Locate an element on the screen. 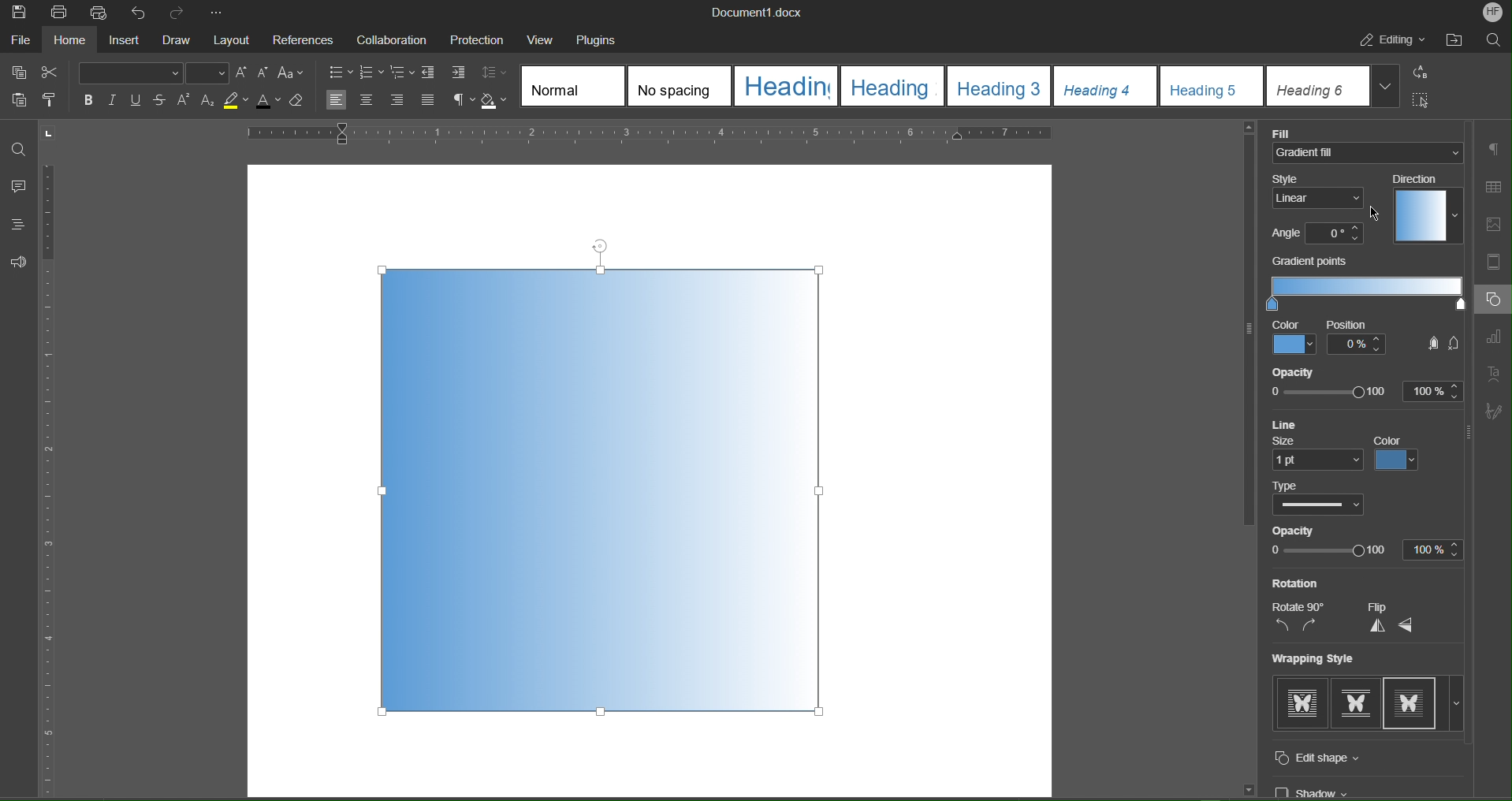 Image resolution: width=1512 pixels, height=801 pixels. Print is located at coordinates (58, 13).